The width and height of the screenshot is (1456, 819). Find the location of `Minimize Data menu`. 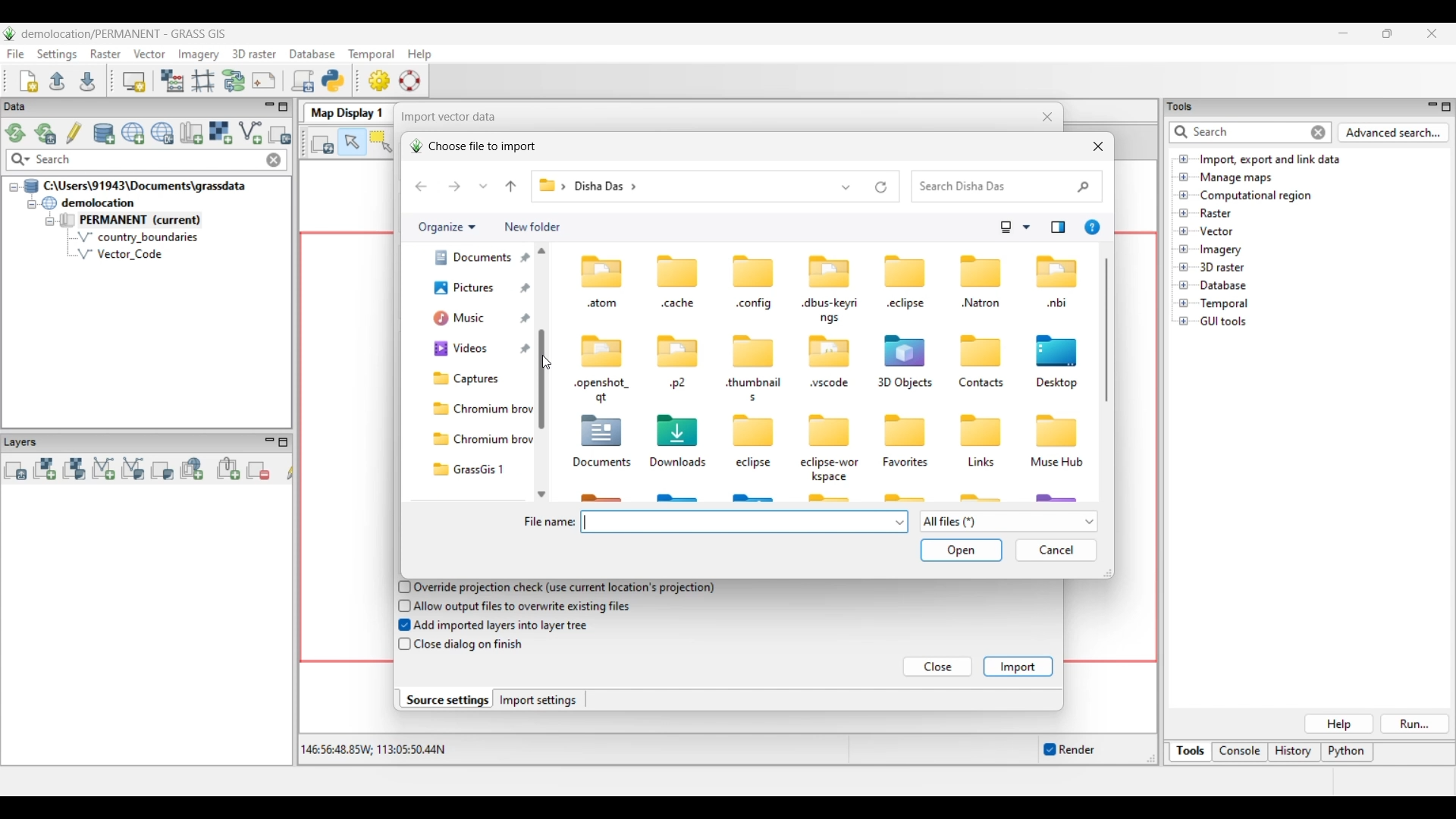

Minimize Data menu is located at coordinates (269, 108).